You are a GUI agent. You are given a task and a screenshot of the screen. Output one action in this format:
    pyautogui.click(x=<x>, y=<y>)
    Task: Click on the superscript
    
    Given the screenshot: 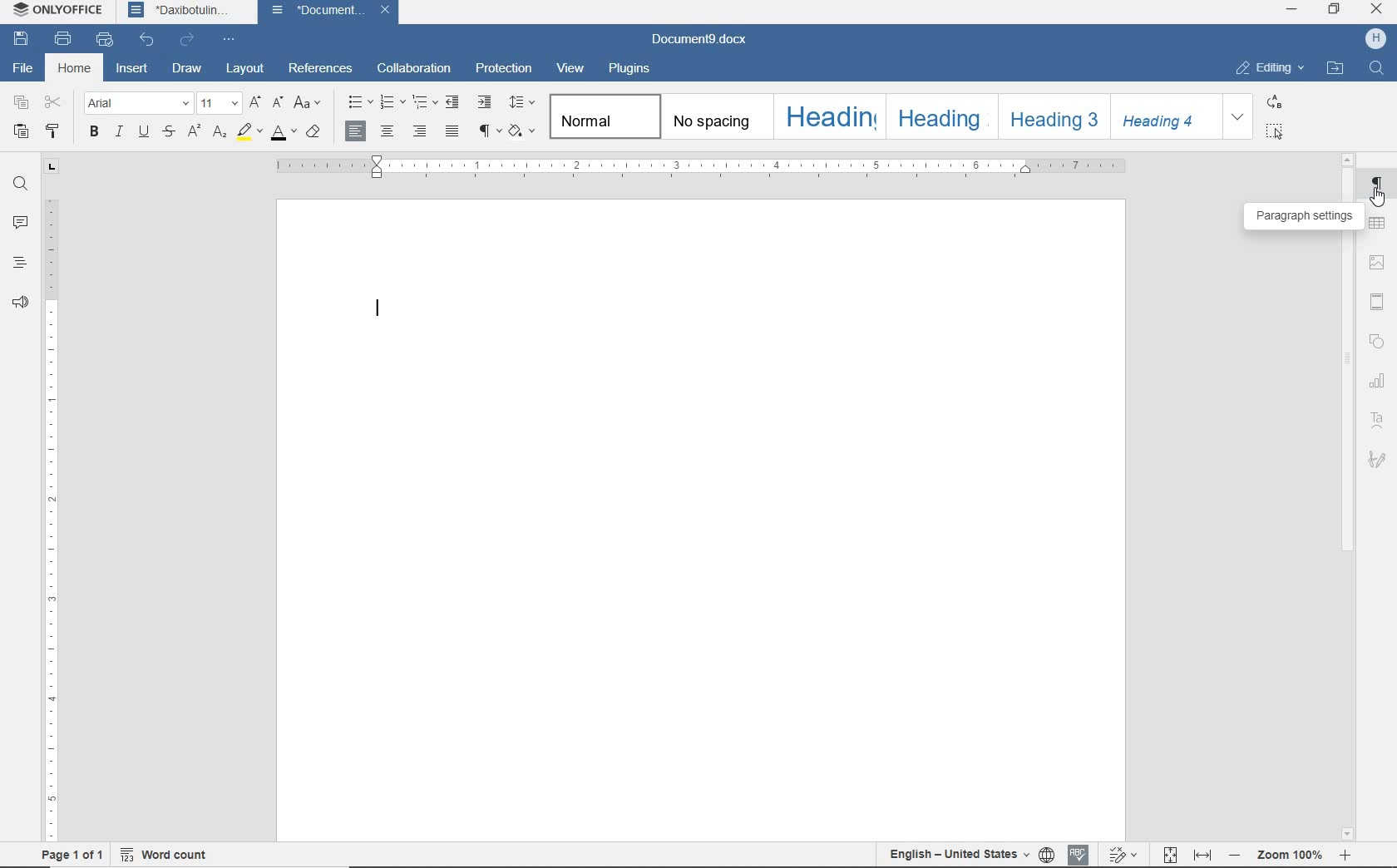 What is the action you would take?
    pyautogui.click(x=195, y=133)
    